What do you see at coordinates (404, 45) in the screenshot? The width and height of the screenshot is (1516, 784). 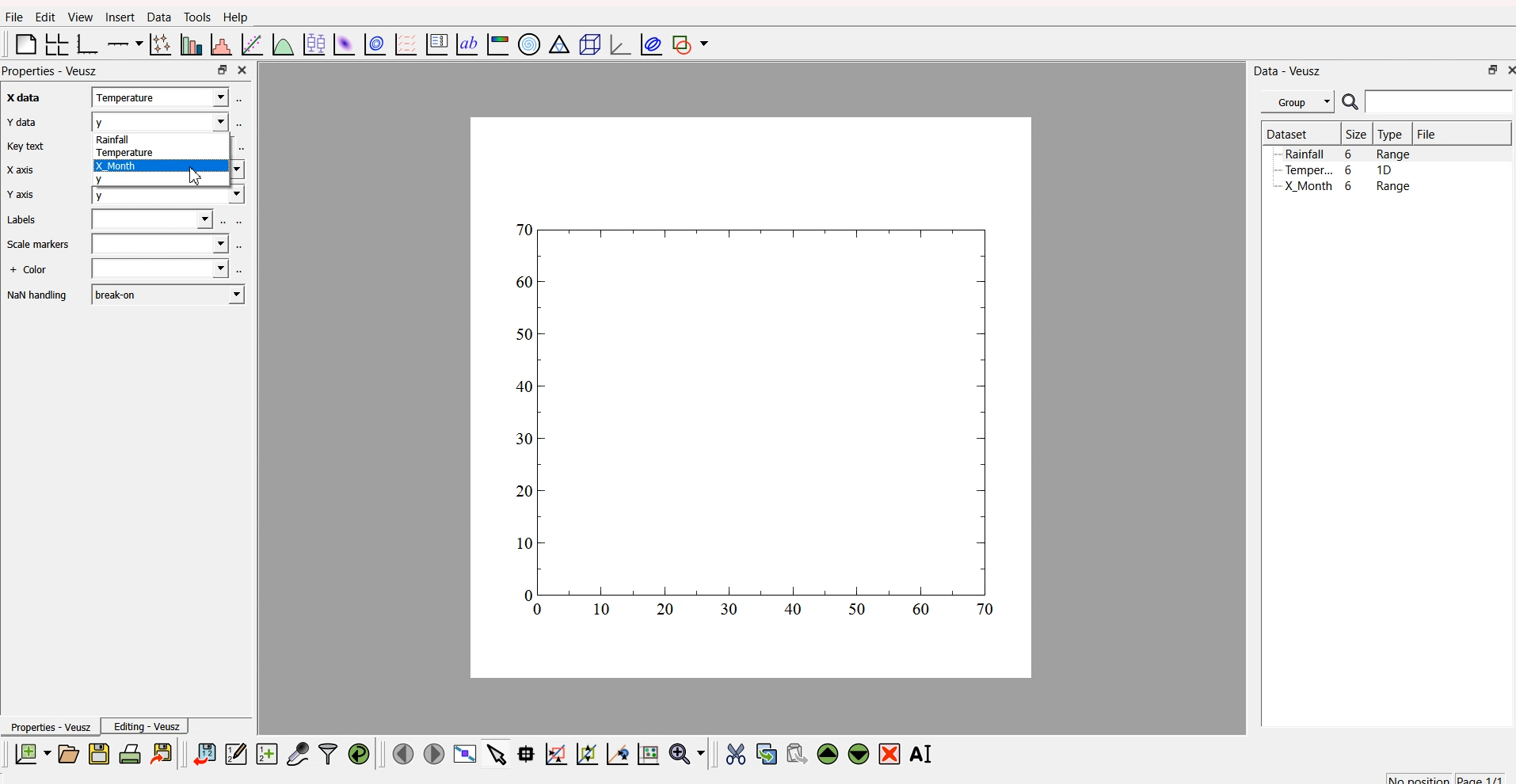 I see `plot a vector field` at bounding box center [404, 45].